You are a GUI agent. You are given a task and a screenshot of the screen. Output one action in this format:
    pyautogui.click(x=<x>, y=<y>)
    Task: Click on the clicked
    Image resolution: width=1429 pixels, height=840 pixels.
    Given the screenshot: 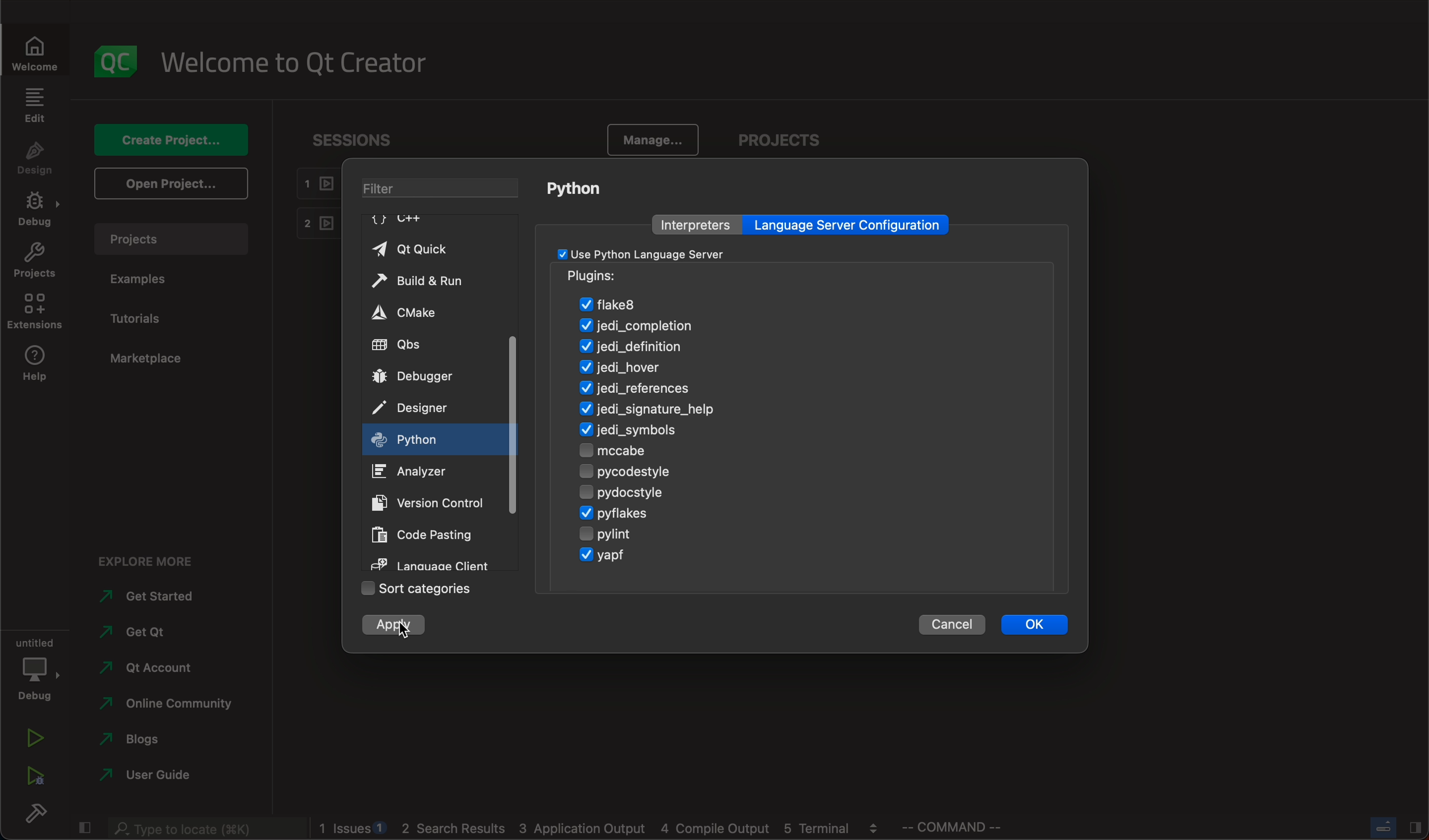 What is the action you would take?
    pyautogui.click(x=399, y=627)
    